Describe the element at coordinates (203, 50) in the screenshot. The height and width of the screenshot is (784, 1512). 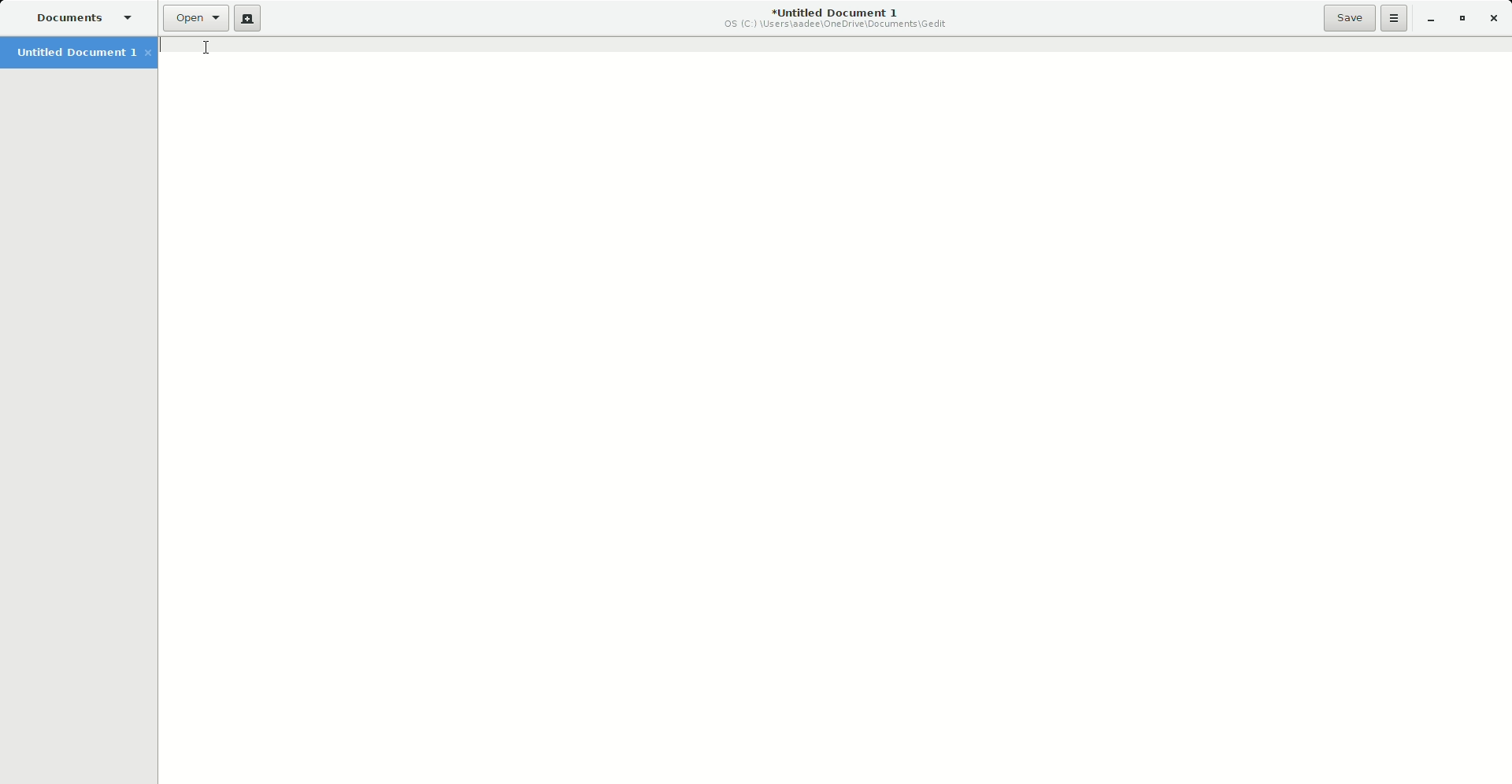
I see `Cursor` at that location.